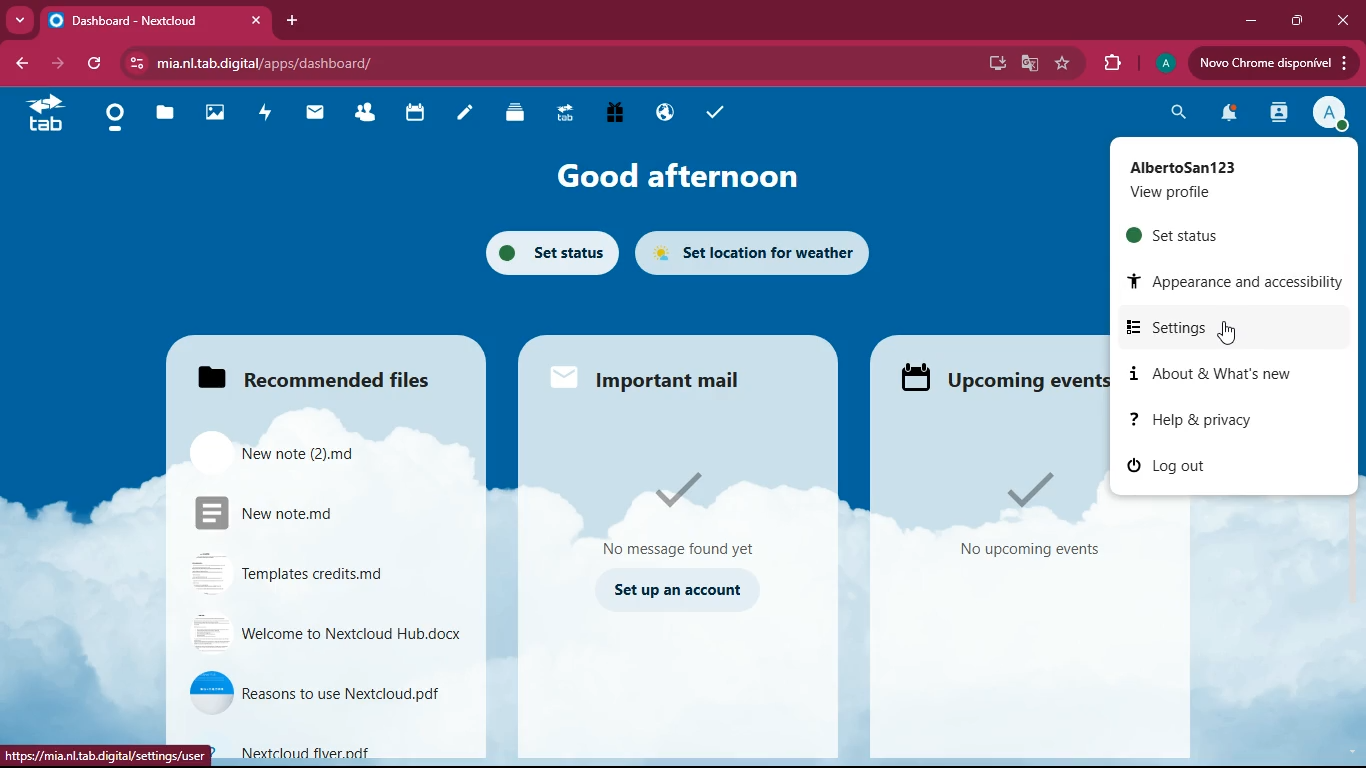 This screenshot has width=1366, height=768. I want to click on set status, so click(1211, 234).